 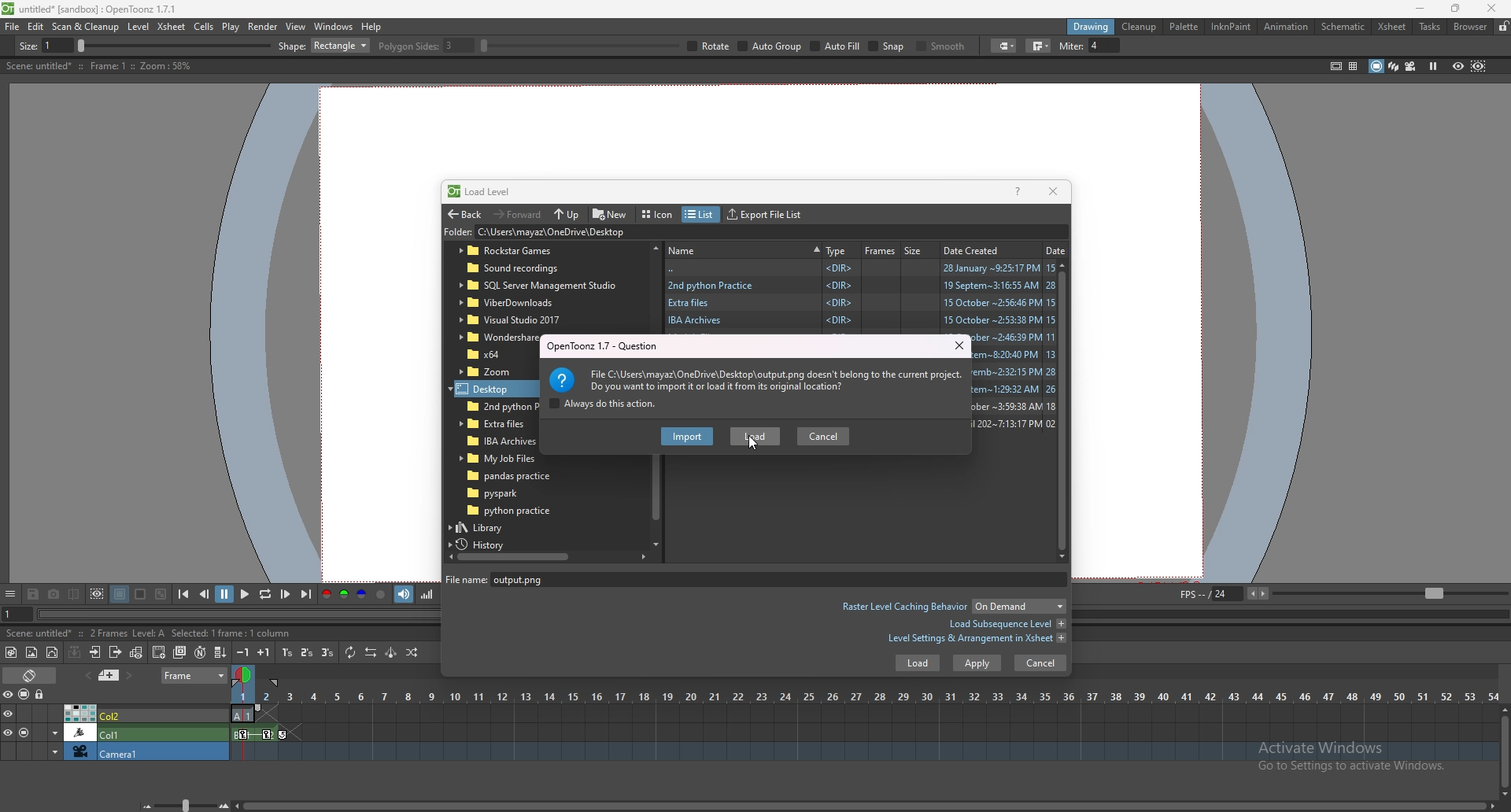 What do you see at coordinates (497, 459) in the screenshot?
I see `folder` at bounding box center [497, 459].